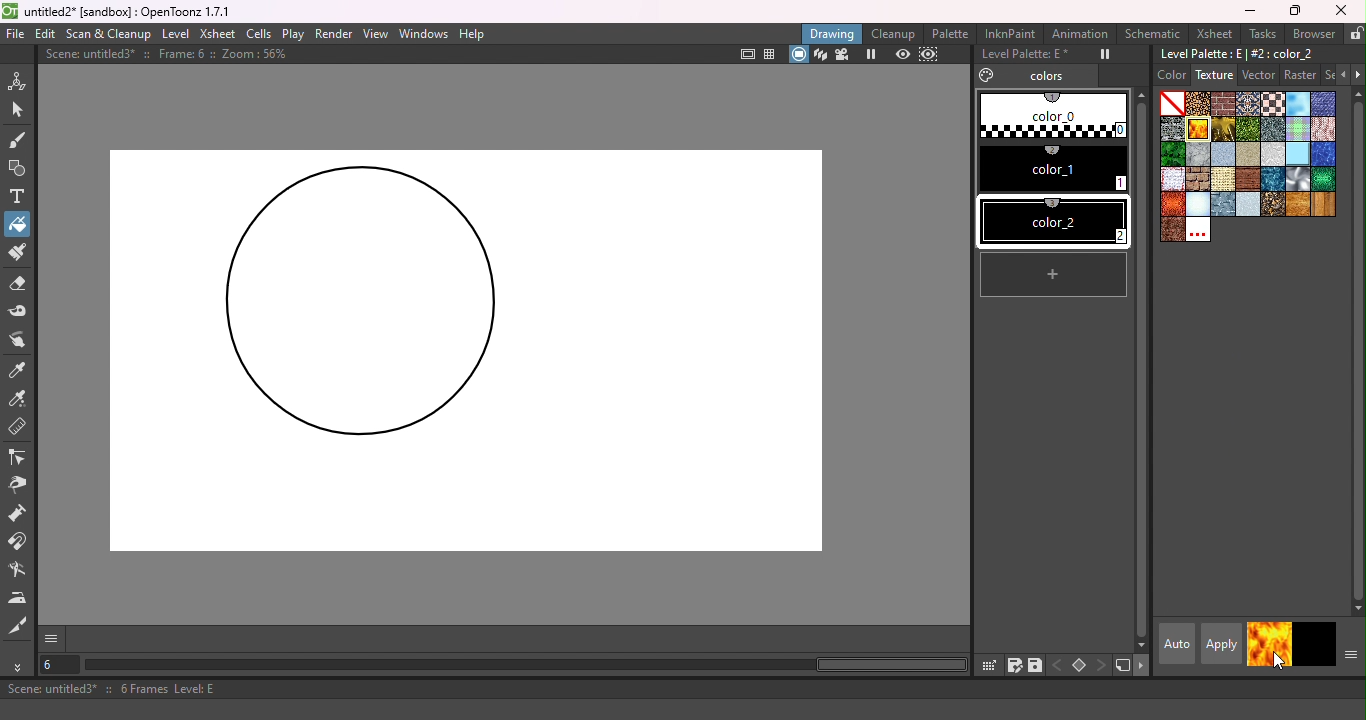 This screenshot has height=720, width=1366. Describe the element at coordinates (1291, 11) in the screenshot. I see `Maximize` at that location.